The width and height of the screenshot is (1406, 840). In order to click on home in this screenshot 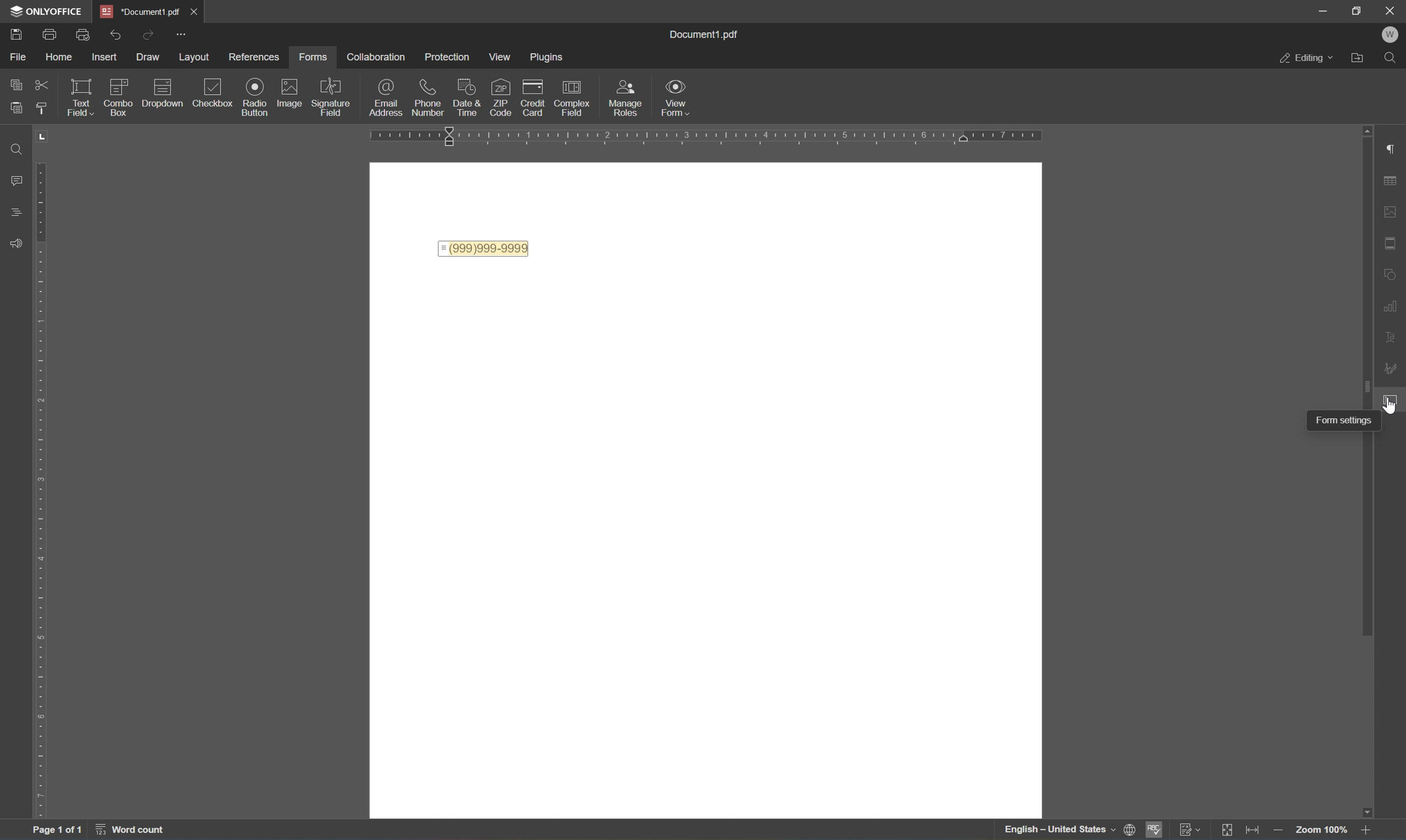, I will do `click(58, 59)`.